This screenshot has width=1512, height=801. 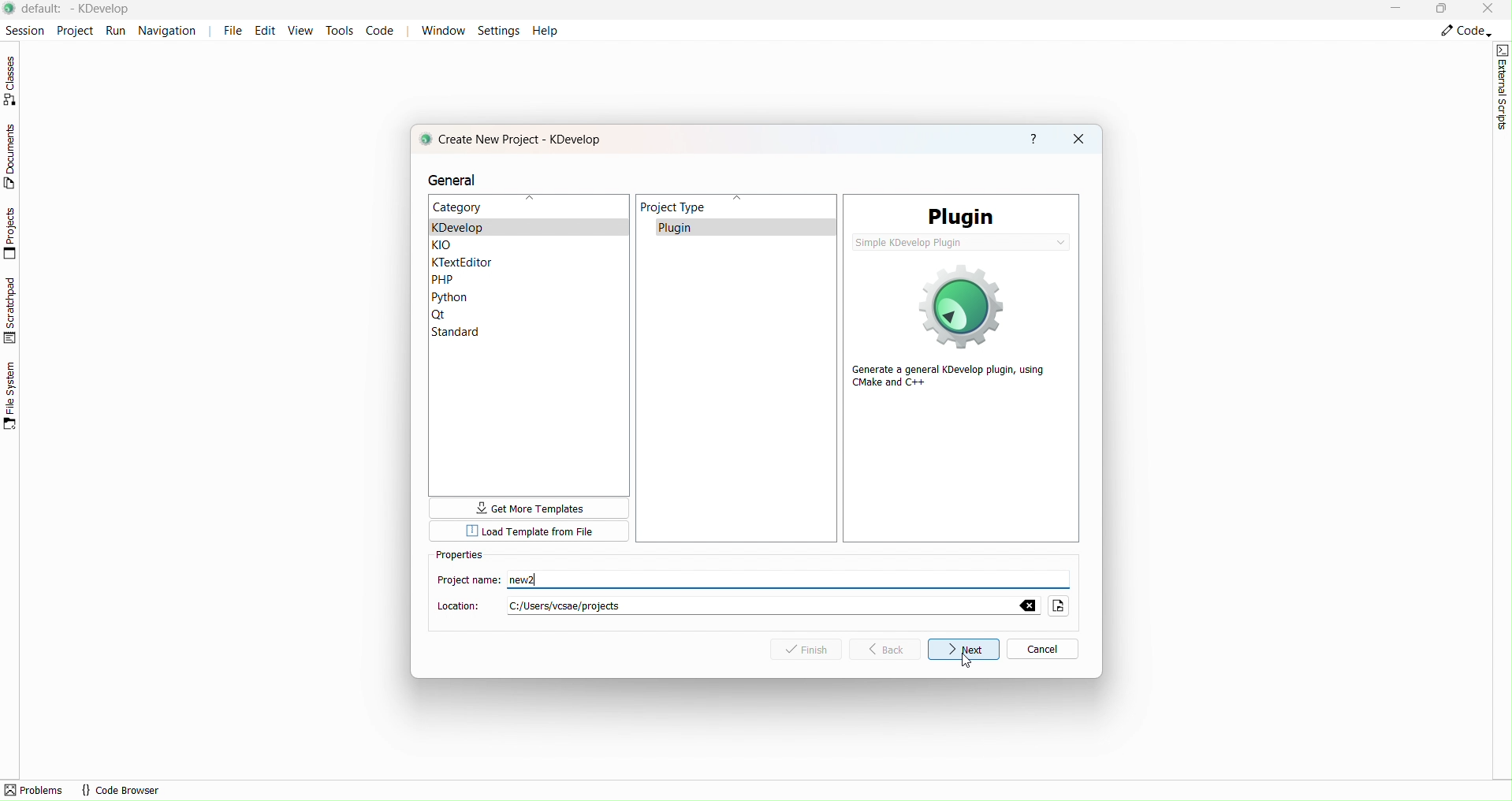 I want to click on Classes, so click(x=15, y=80).